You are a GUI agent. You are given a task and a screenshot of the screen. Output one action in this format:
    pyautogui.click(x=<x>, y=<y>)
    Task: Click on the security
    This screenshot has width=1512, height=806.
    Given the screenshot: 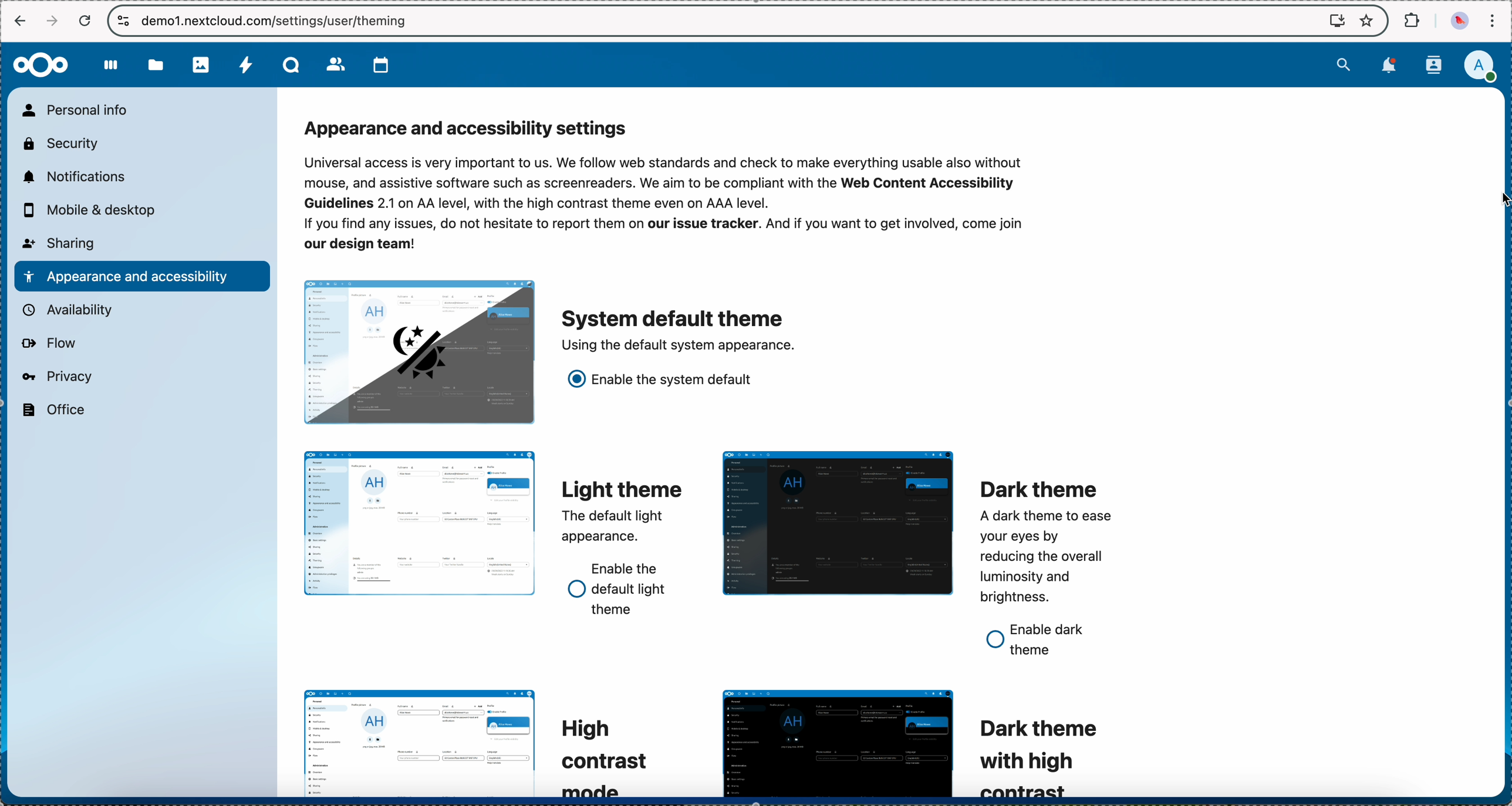 What is the action you would take?
    pyautogui.click(x=62, y=144)
    